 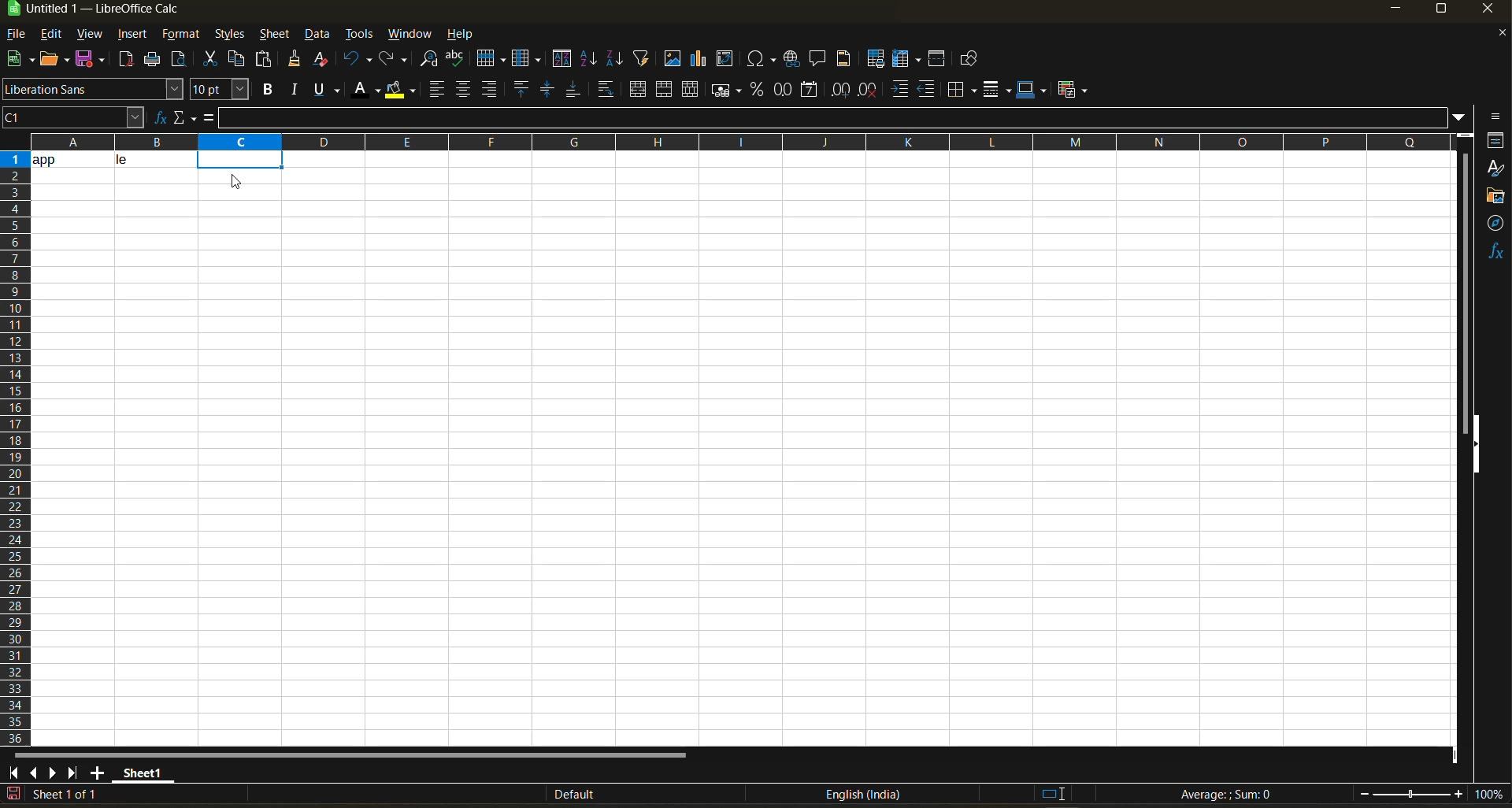 What do you see at coordinates (902, 90) in the screenshot?
I see `increase indent` at bounding box center [902, 90].